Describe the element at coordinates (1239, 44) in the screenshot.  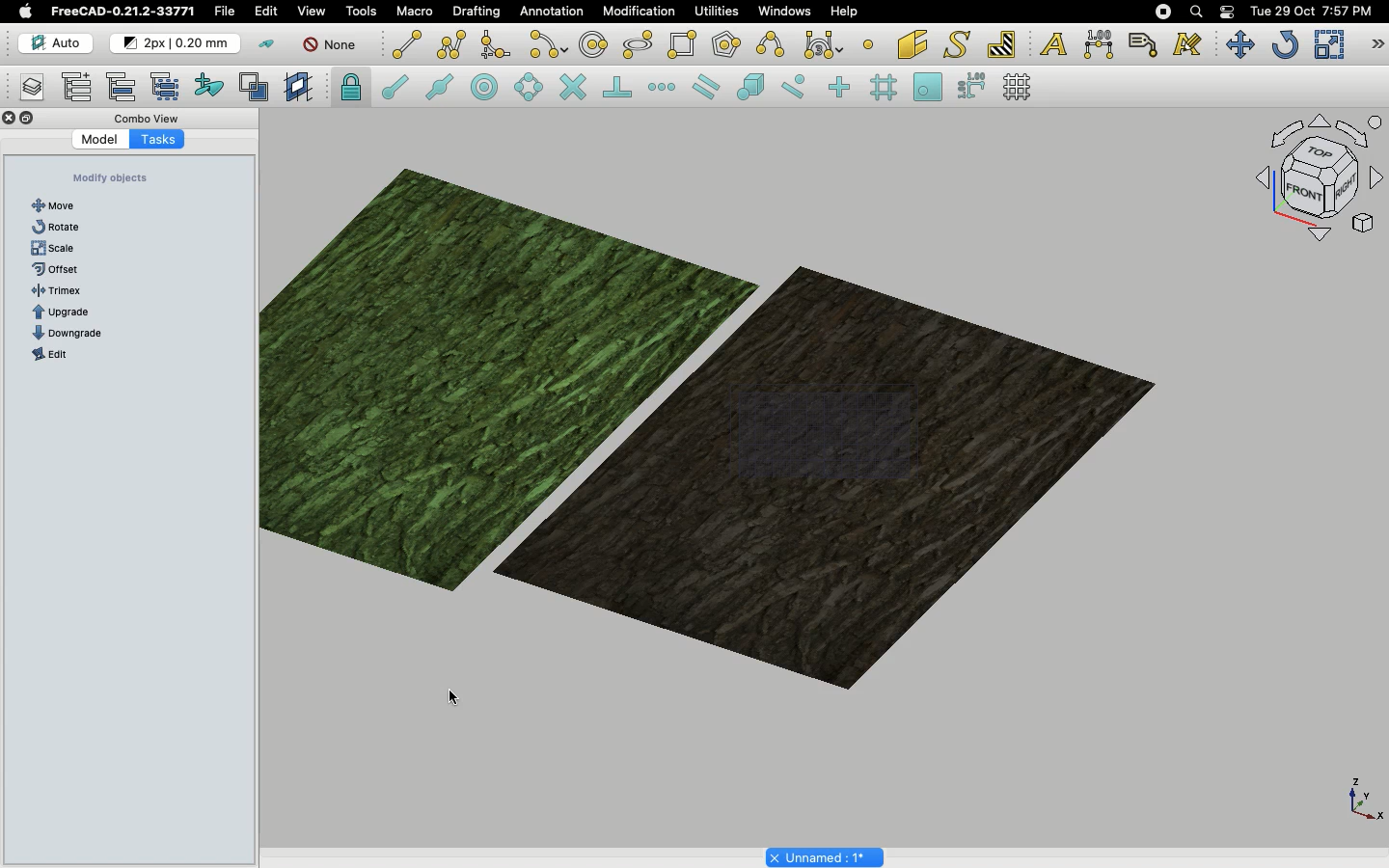
I see `Move` at that location.